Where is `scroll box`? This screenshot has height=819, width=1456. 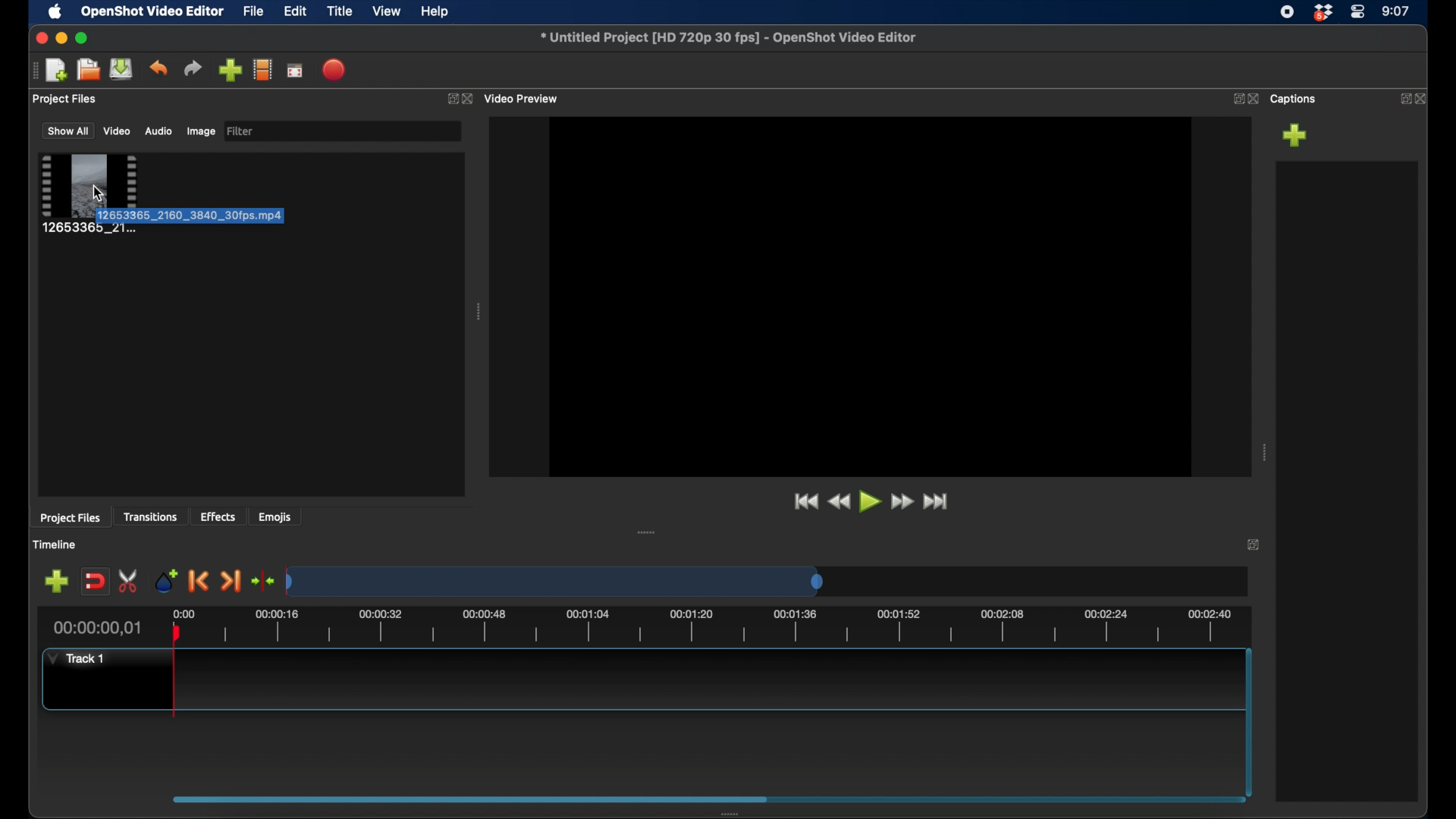
scroll box is located at coordinates (469, 799).